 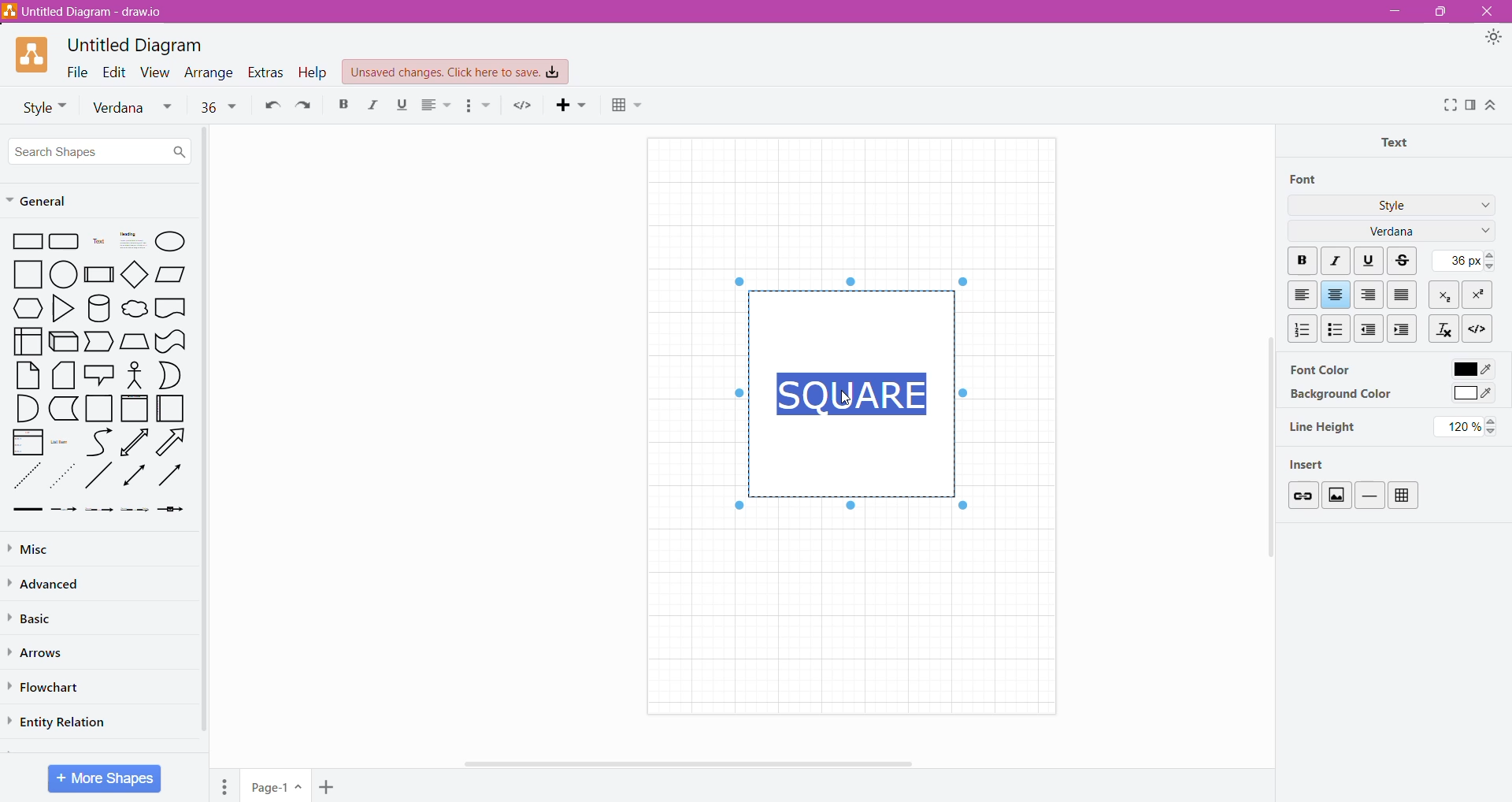 I want to click on Appearance, so click(x=1493, y=38).